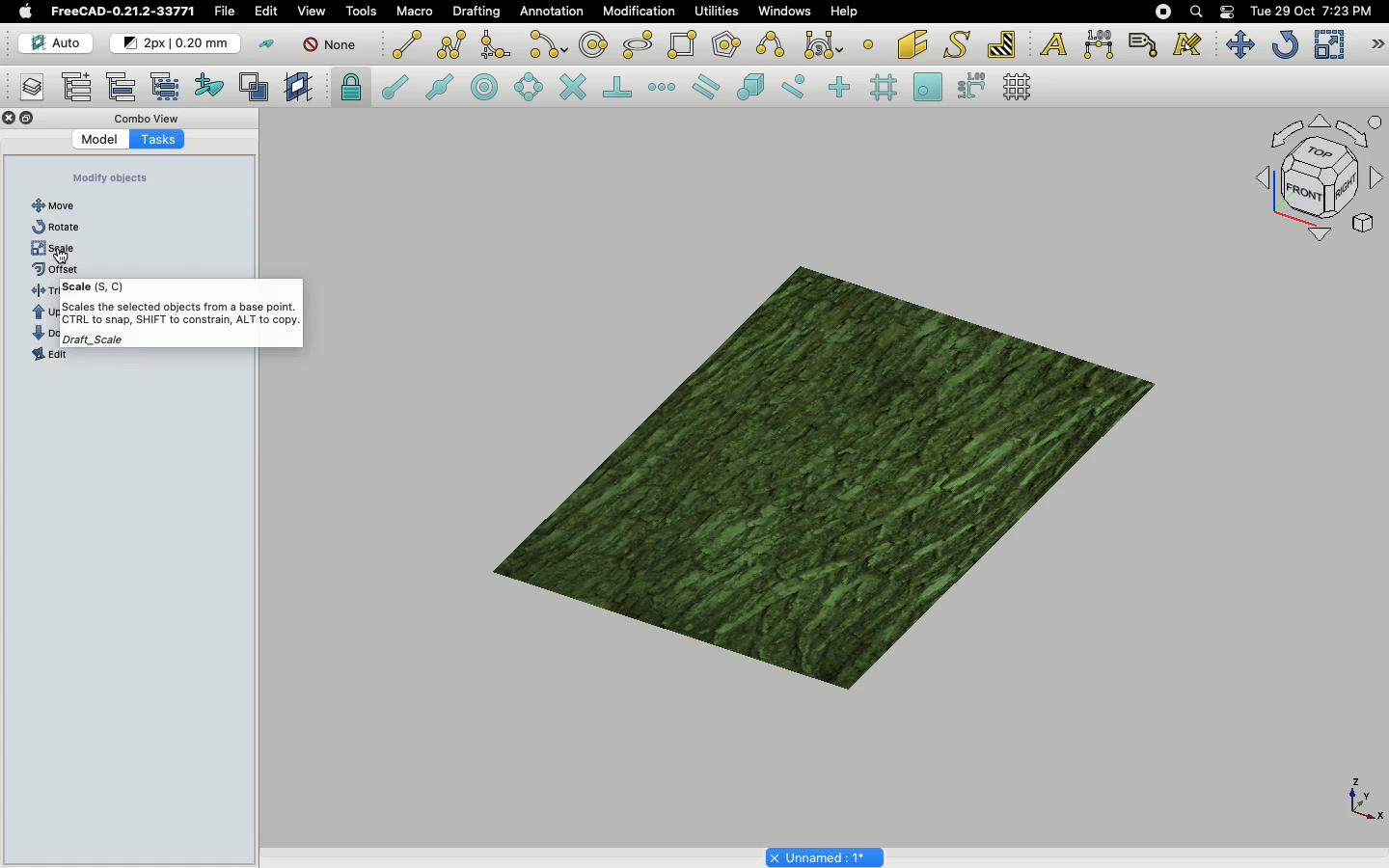  Describe the element at coordinates (227, 12) in the screenshot. I see `File` at that location.